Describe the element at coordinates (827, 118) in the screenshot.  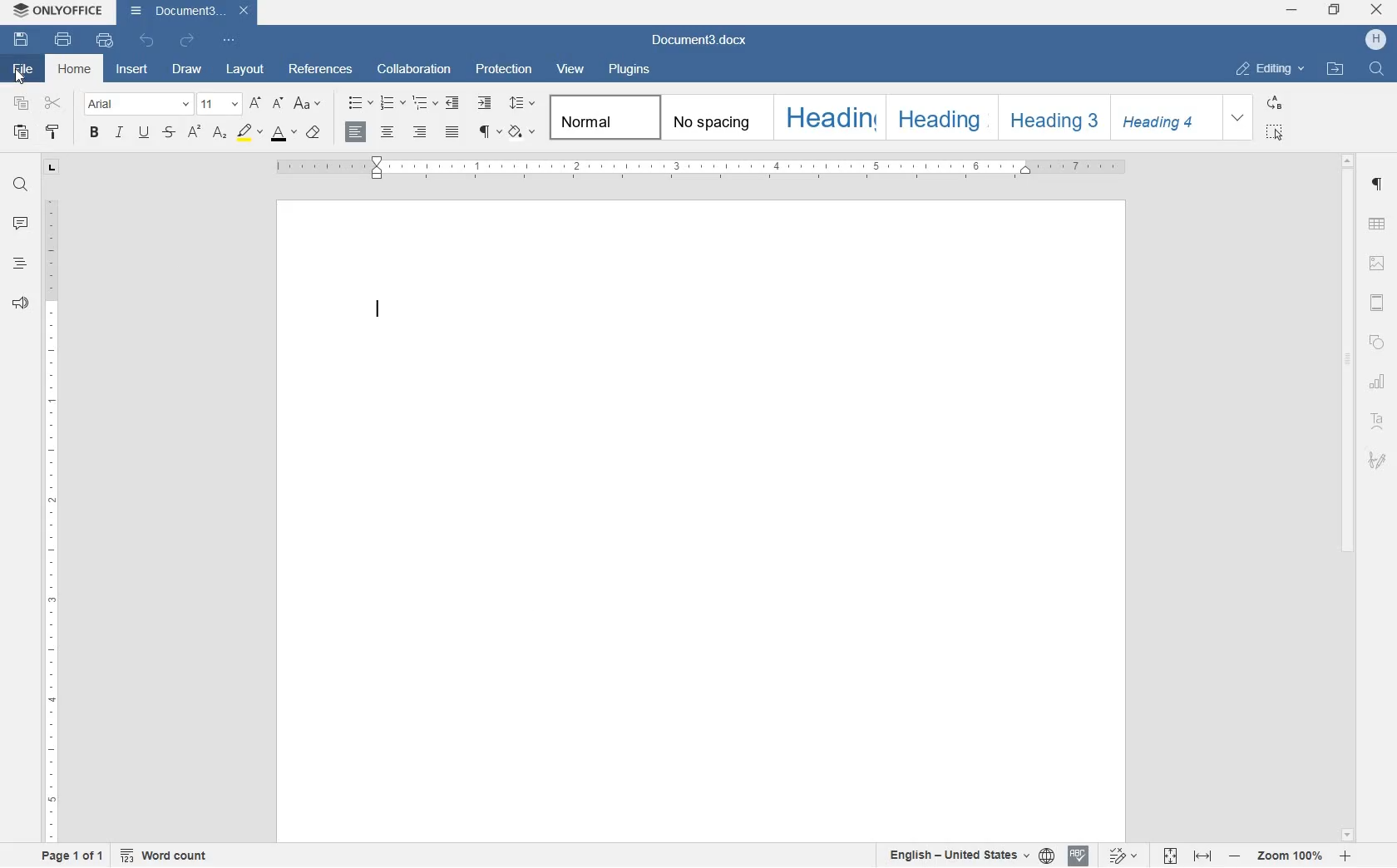
I see `heading 1` at that location.